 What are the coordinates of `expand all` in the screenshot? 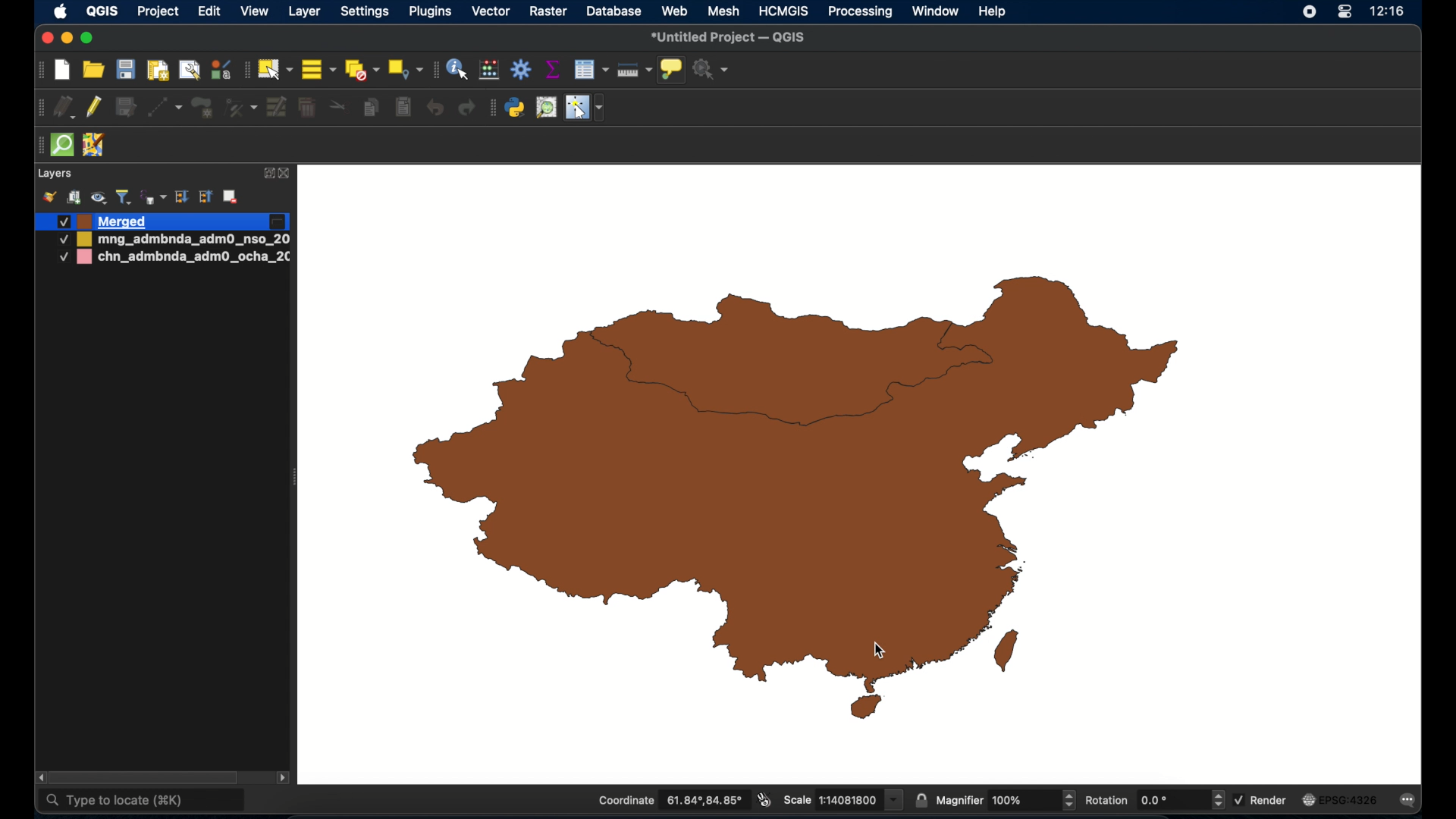 It's located at (181, 197).